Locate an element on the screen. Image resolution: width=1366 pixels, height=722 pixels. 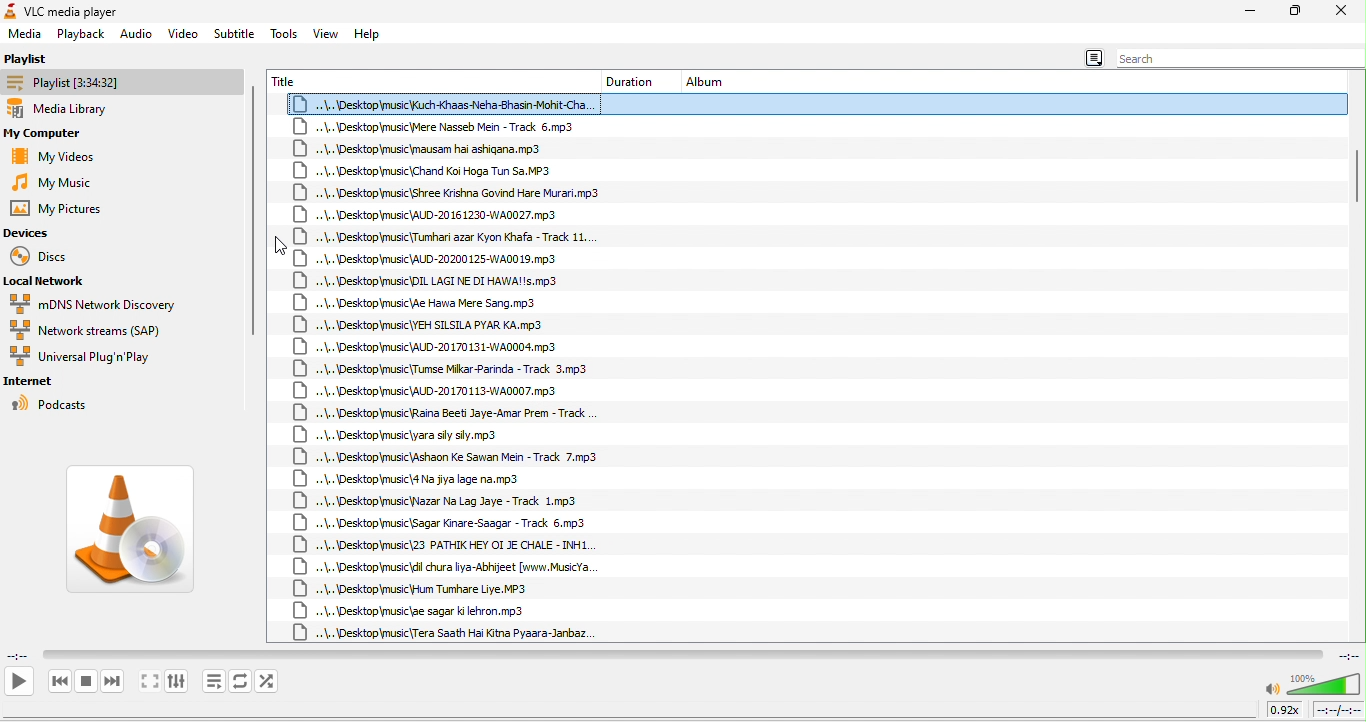
playlist is located at coordinates (44, 56).